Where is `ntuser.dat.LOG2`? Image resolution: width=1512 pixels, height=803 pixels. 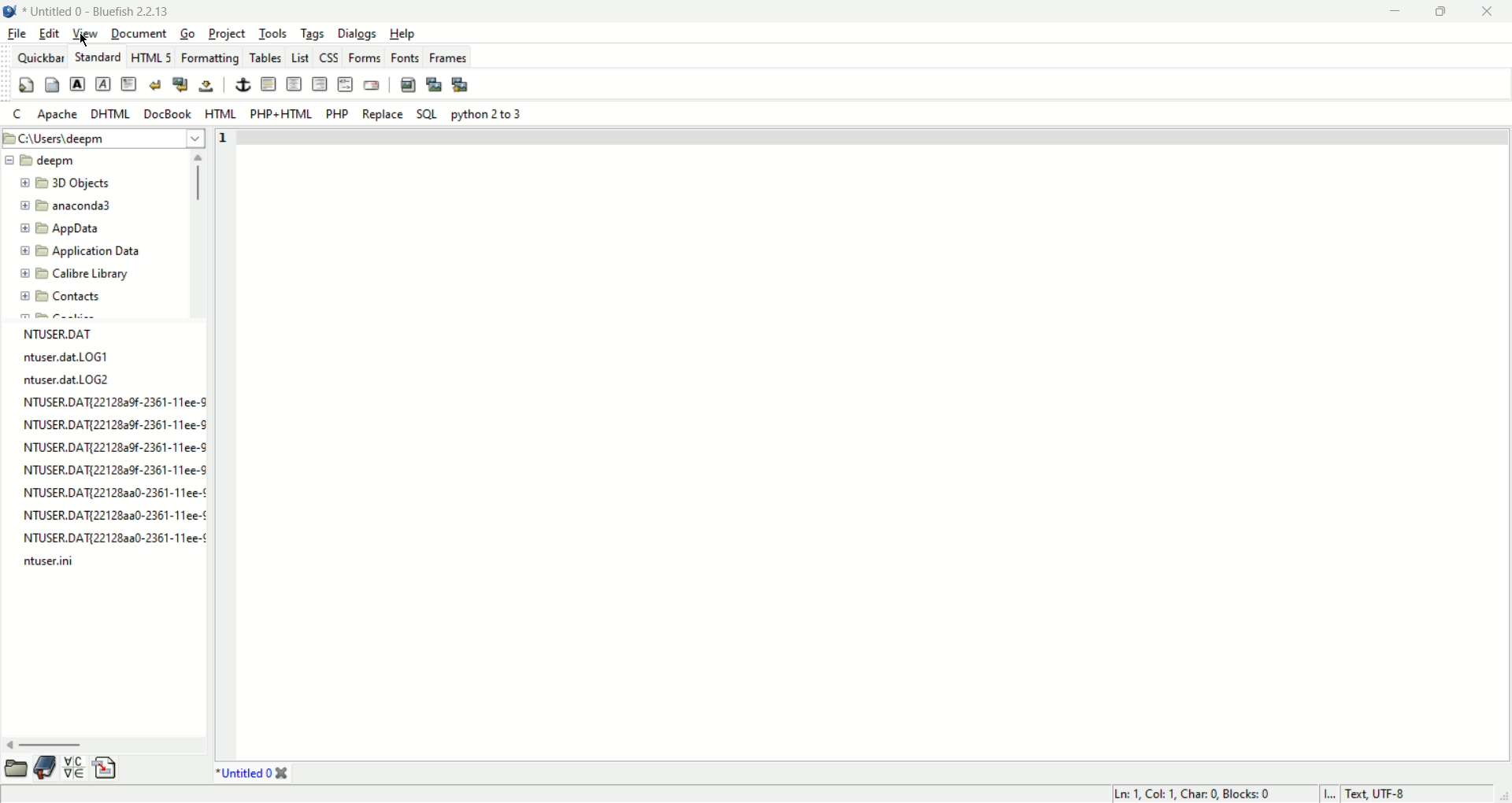 ntuser.dat.LOG2 is located at coordinates (68, 379).